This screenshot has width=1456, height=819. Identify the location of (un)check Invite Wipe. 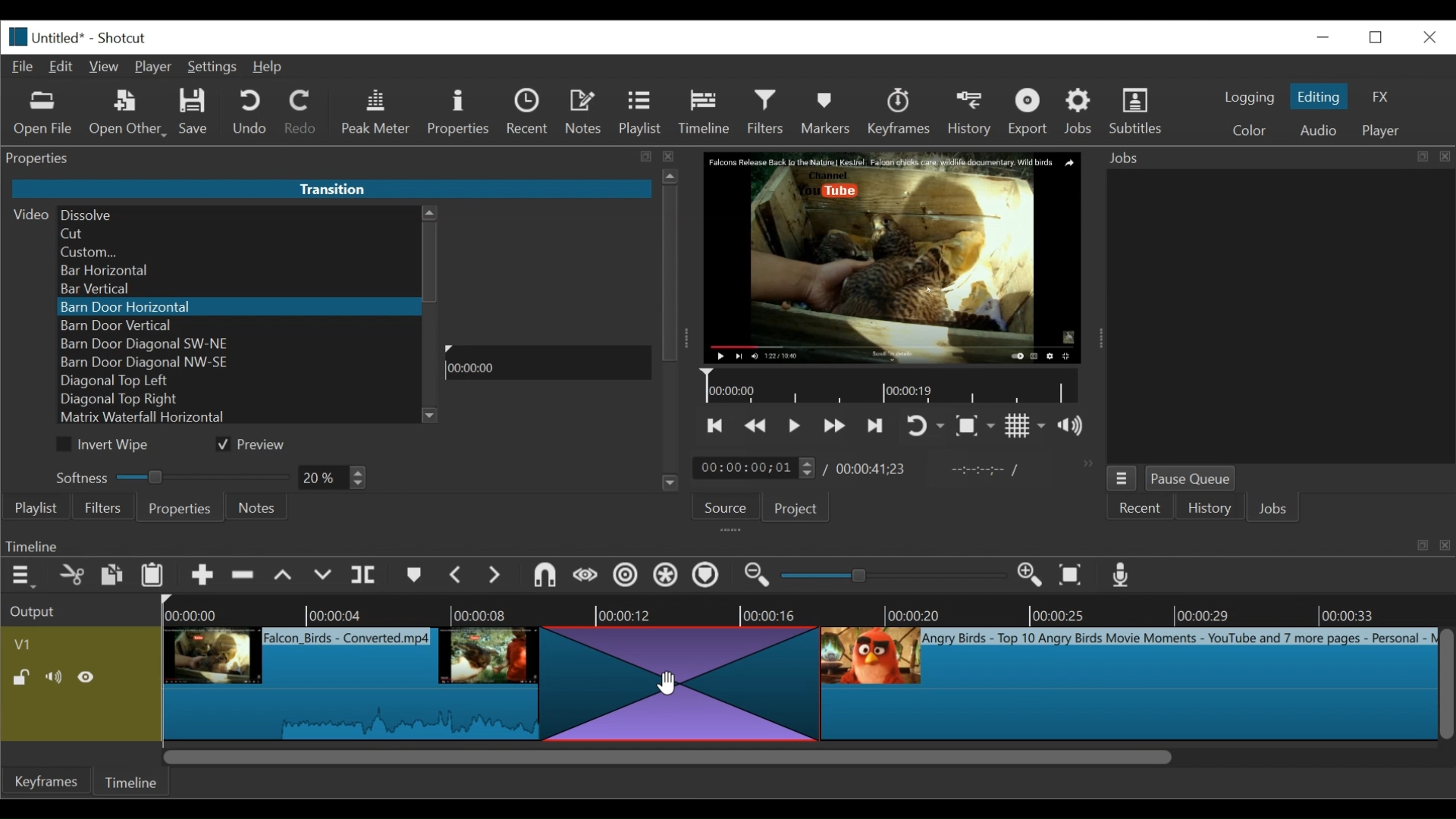
(108, 444).